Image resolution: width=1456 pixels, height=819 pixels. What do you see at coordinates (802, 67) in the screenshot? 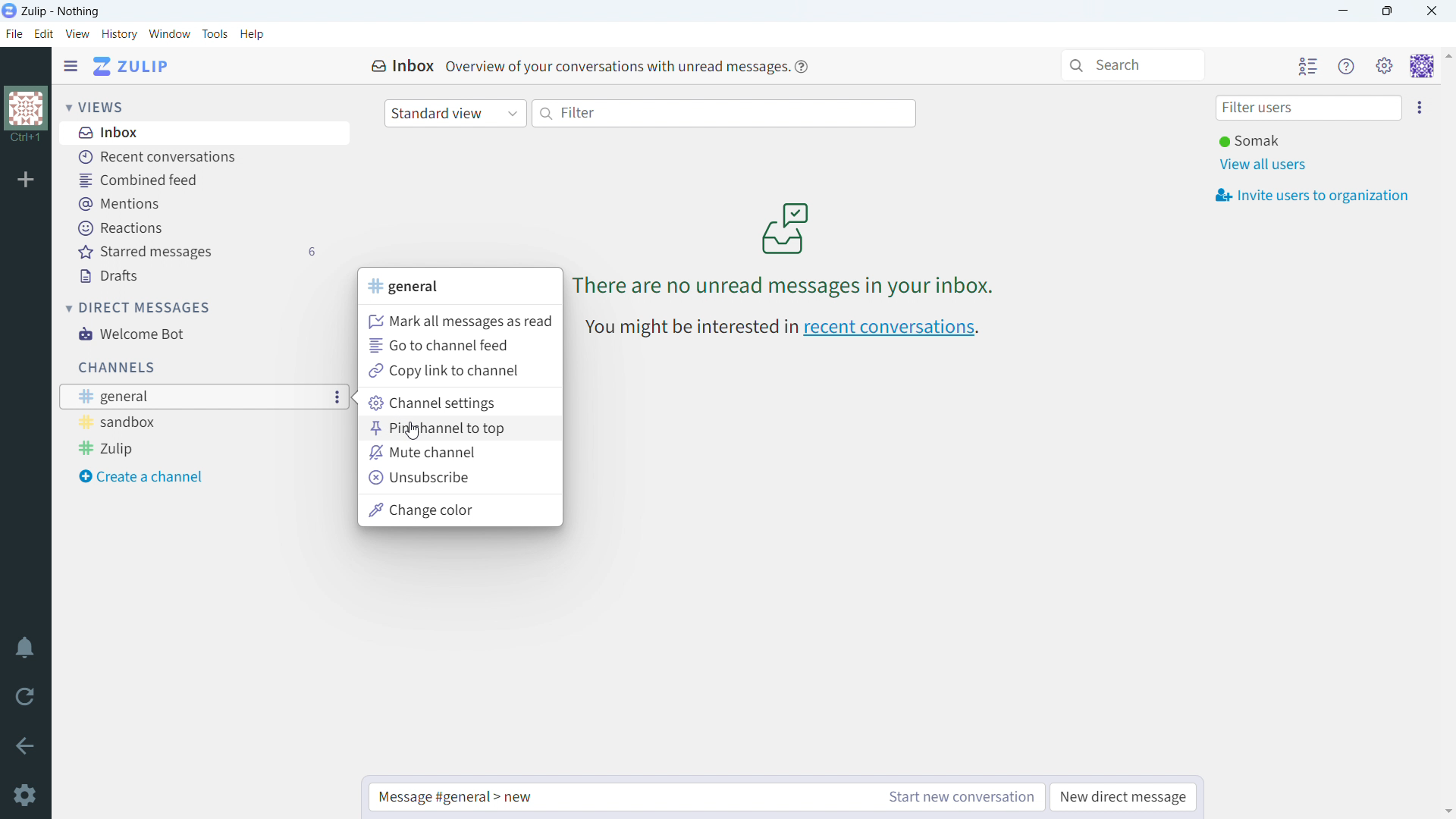
I see `help` at bounding box center [802, 67].